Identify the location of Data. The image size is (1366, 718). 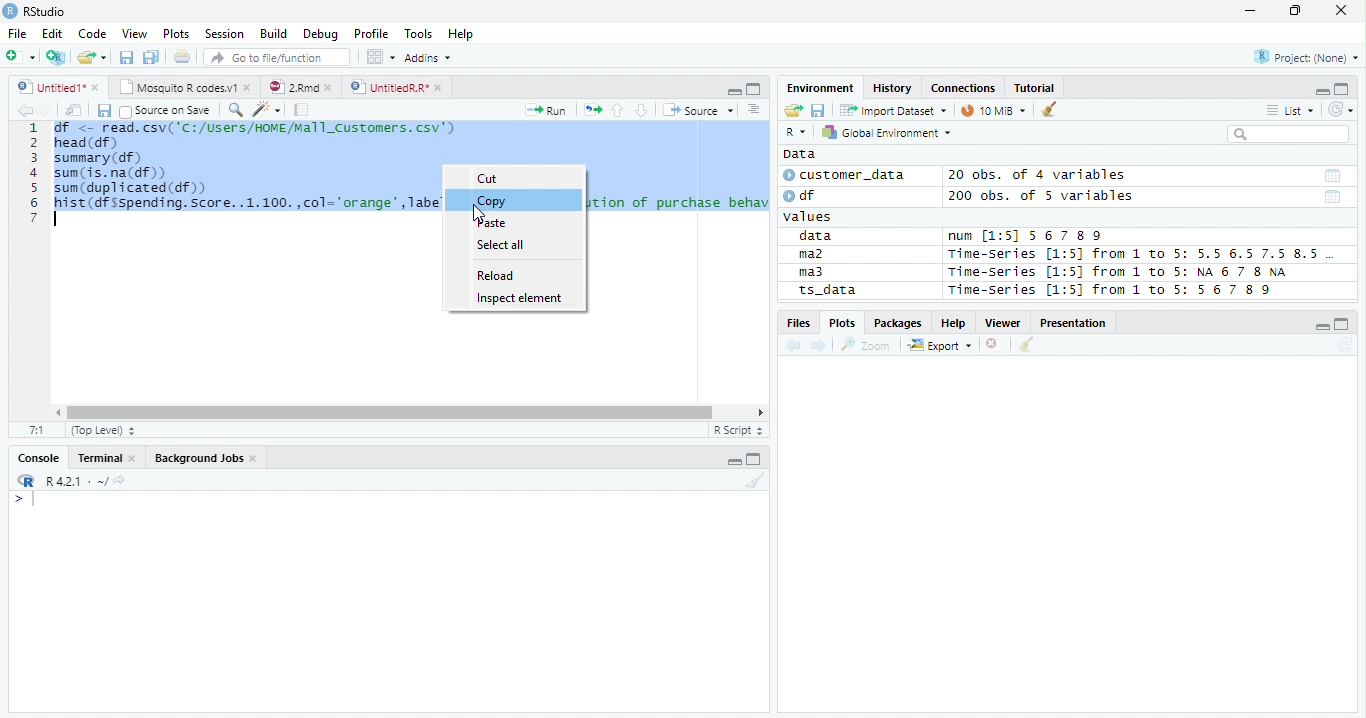
(799, 154).